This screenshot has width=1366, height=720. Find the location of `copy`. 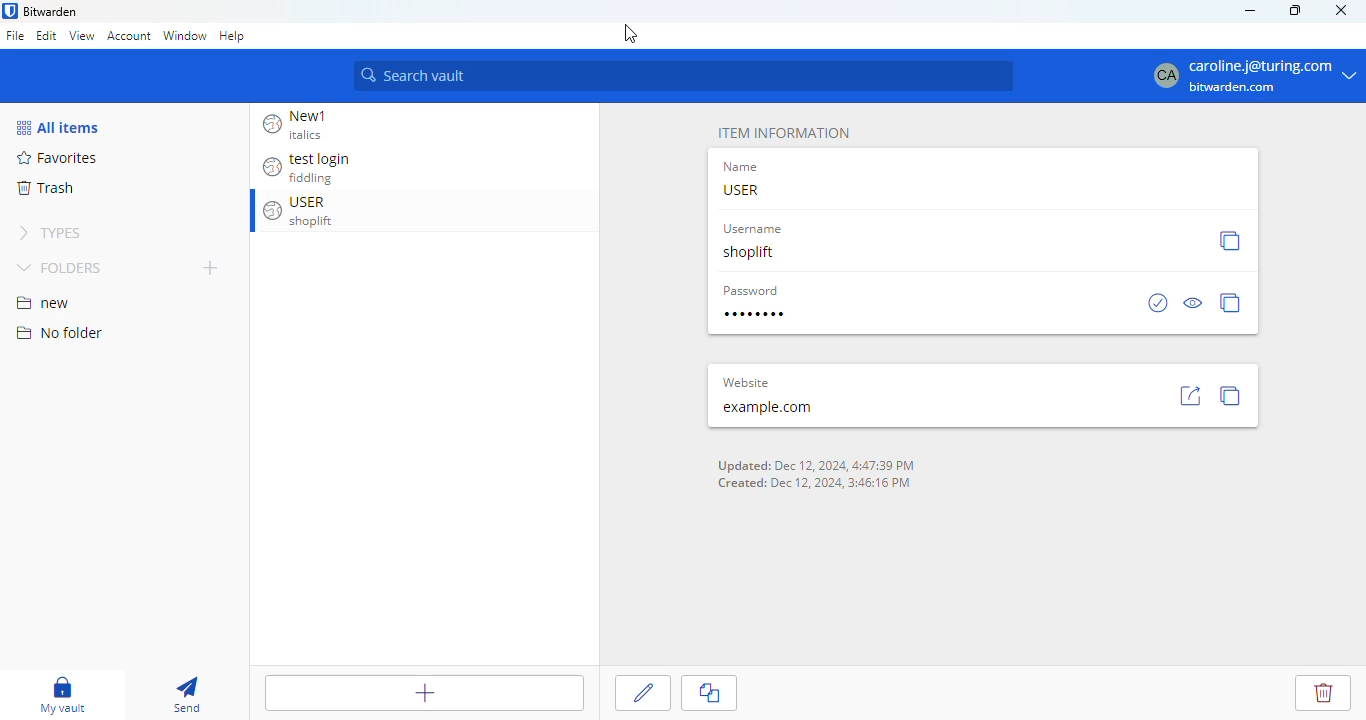

copy is located at coordinates (1231, 241).